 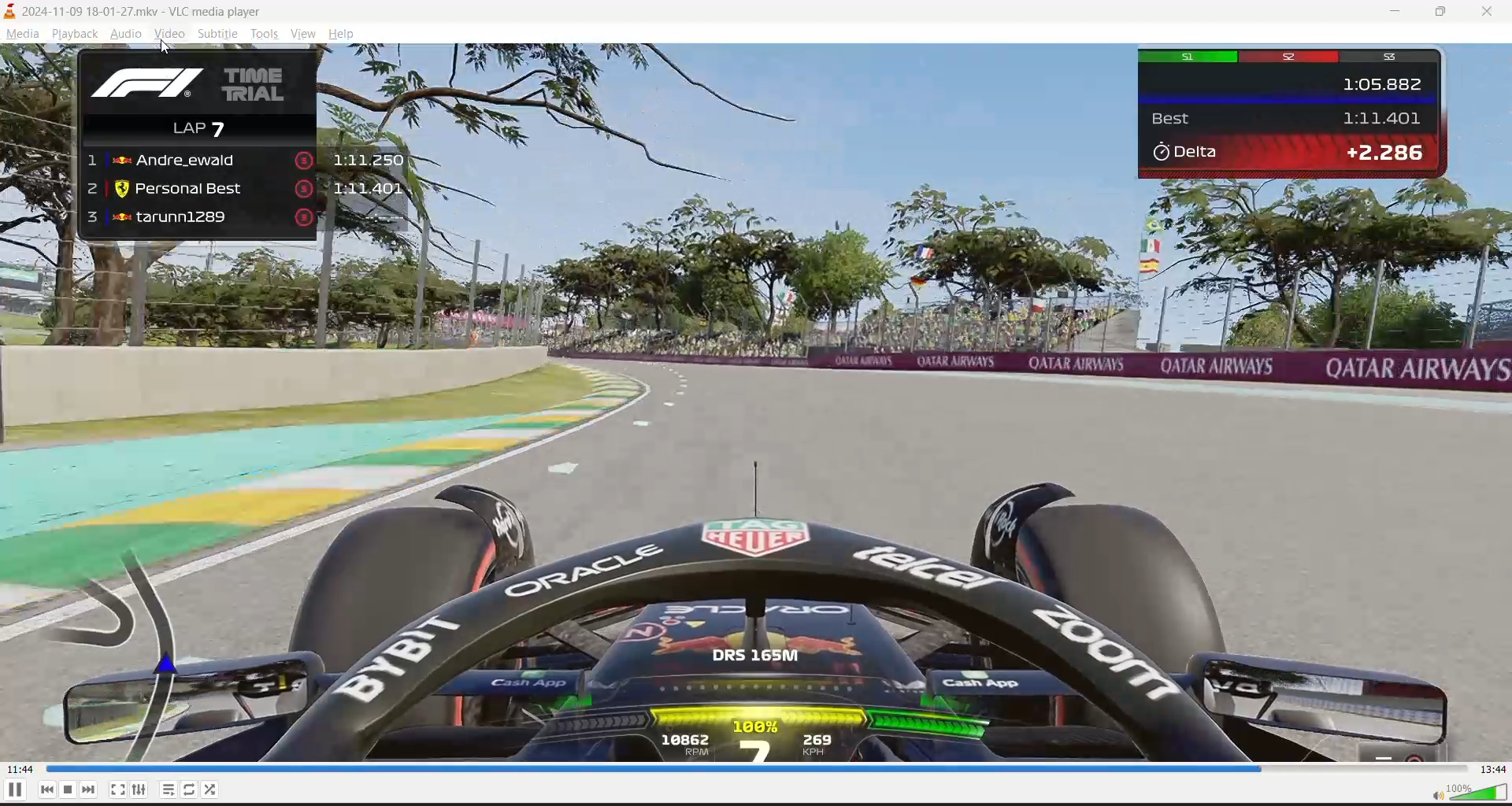 What do you see at coordinates (191, 788) in the screenshot?
I see `loop` at bounding box center [191, 788].